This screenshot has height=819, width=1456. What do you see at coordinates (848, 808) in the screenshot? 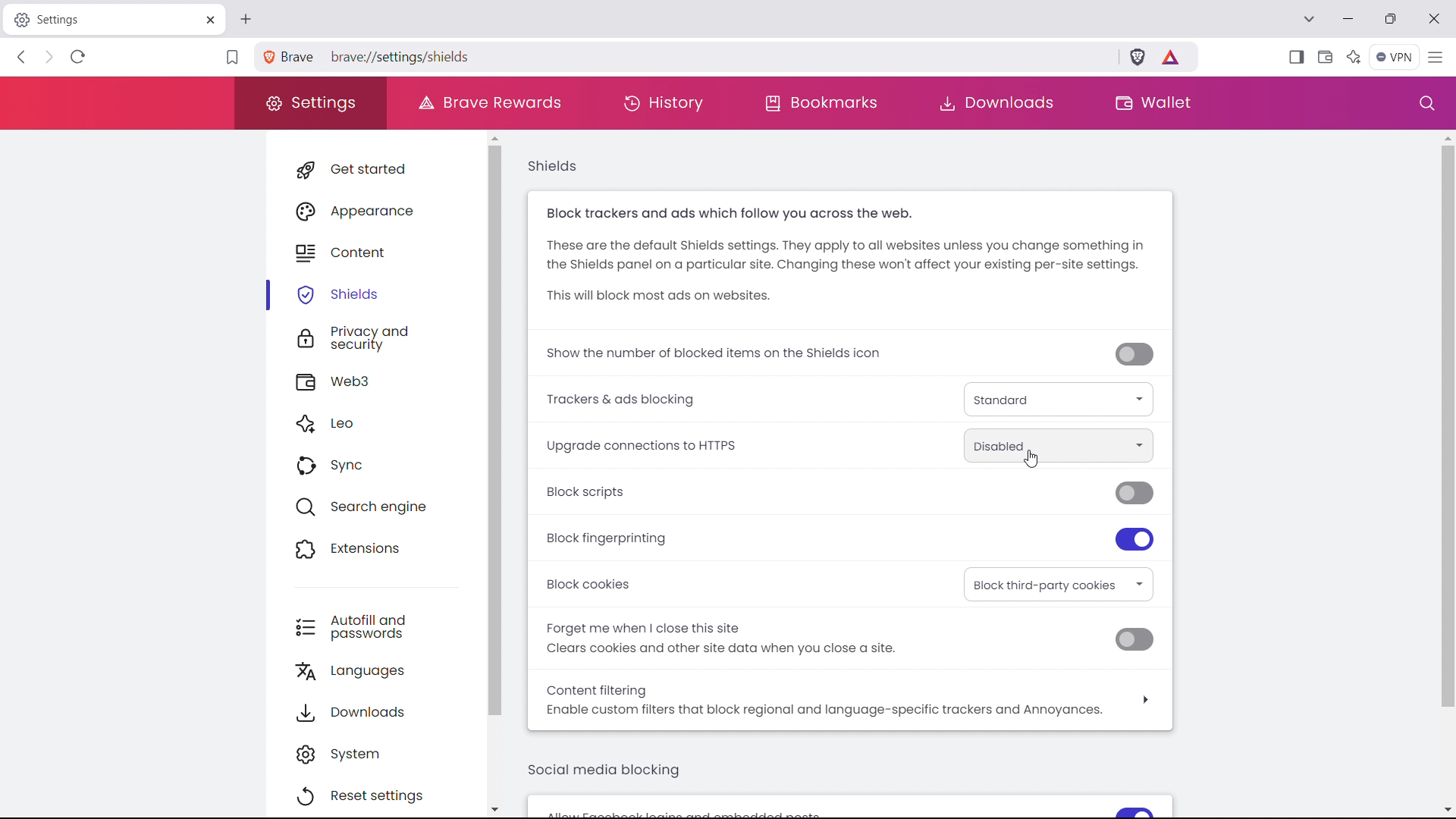
I see `allow feedback` at bounding box center [848, 808].